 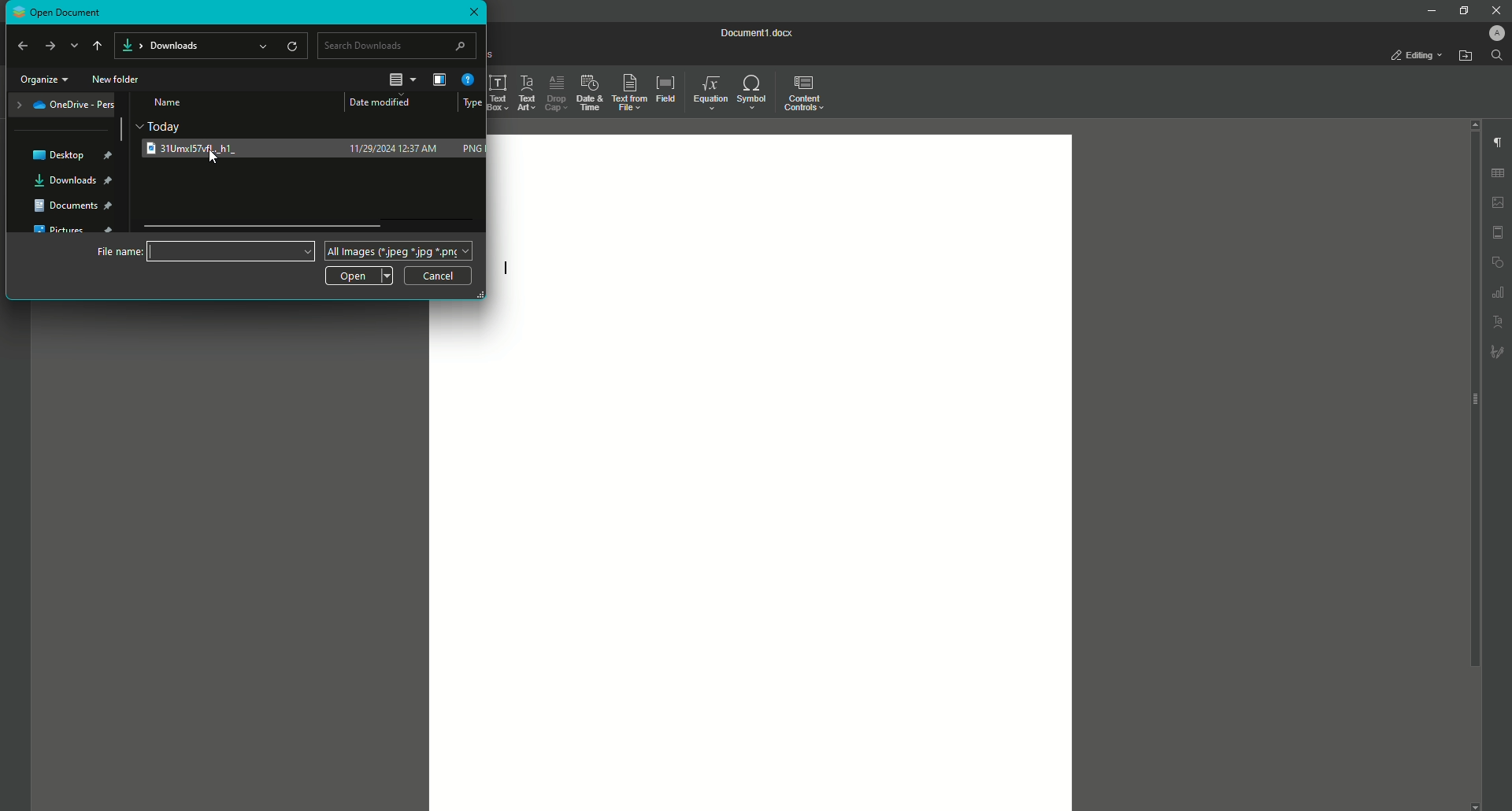 I want to click on Open From File, so click(x=1464, y=57).